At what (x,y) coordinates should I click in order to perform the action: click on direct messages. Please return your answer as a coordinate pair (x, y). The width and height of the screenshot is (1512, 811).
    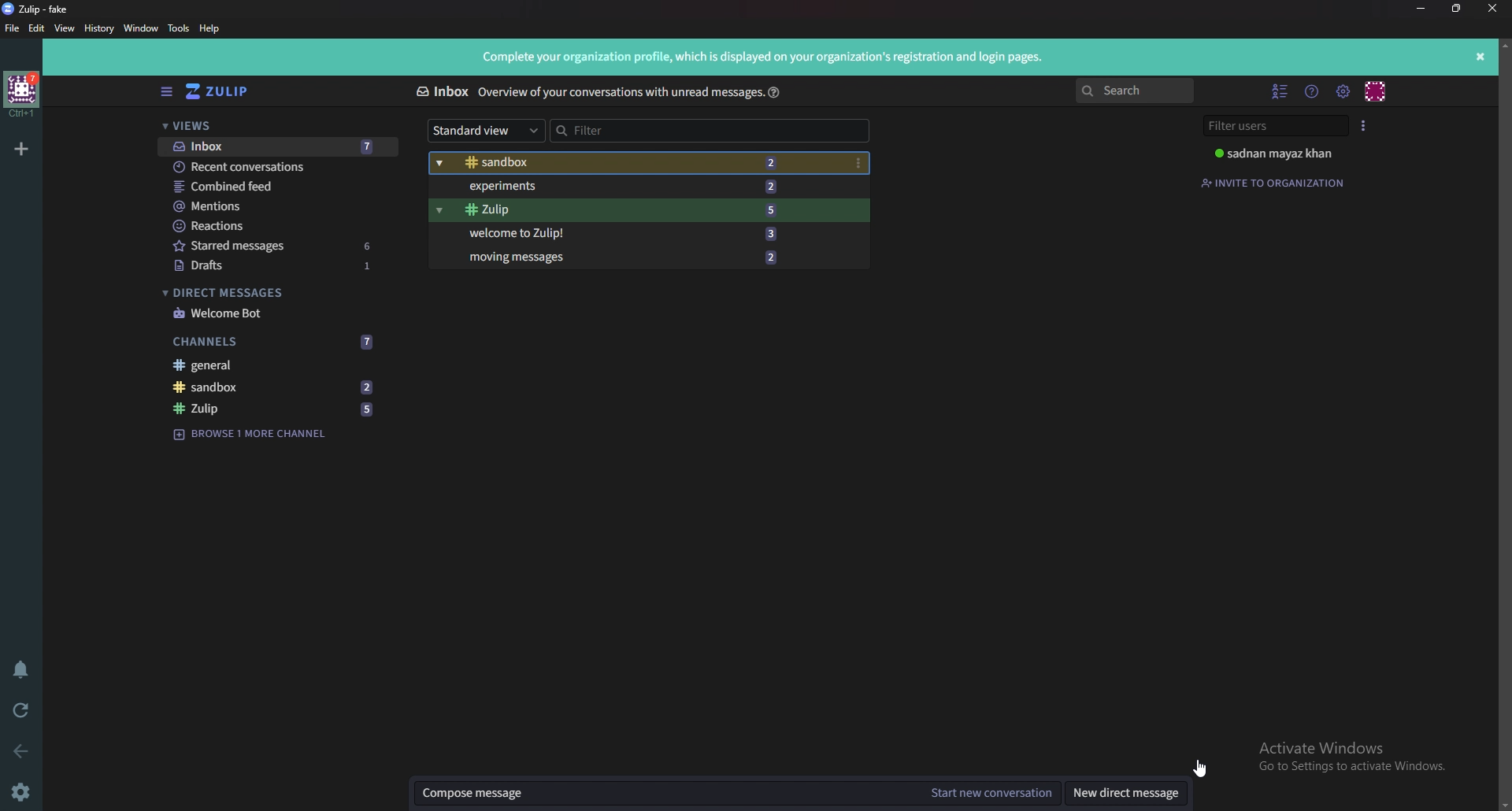
    Looking at the image, I should click on (276, 292).